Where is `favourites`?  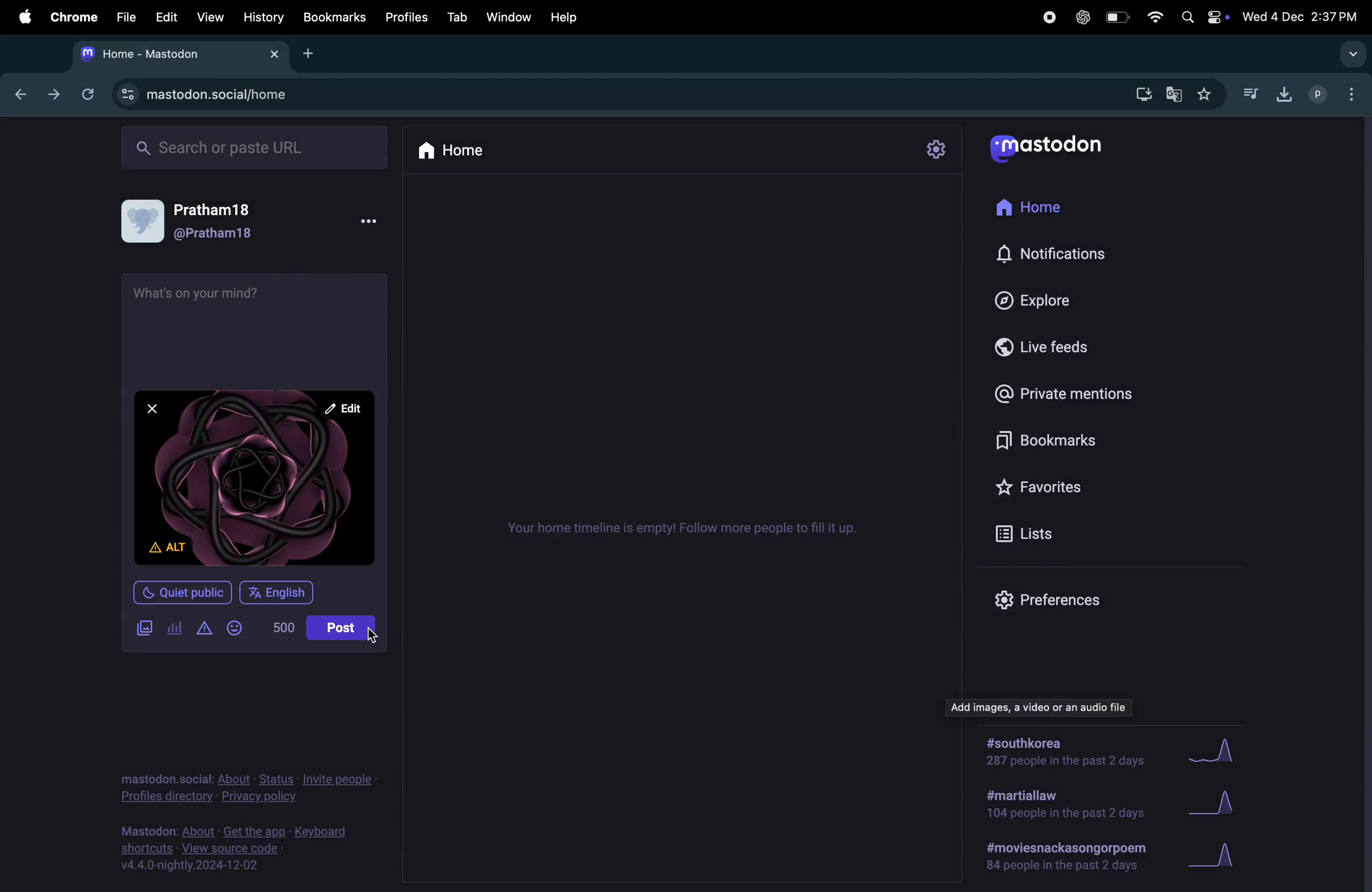 favourites is located at coordinates (1043, 483).